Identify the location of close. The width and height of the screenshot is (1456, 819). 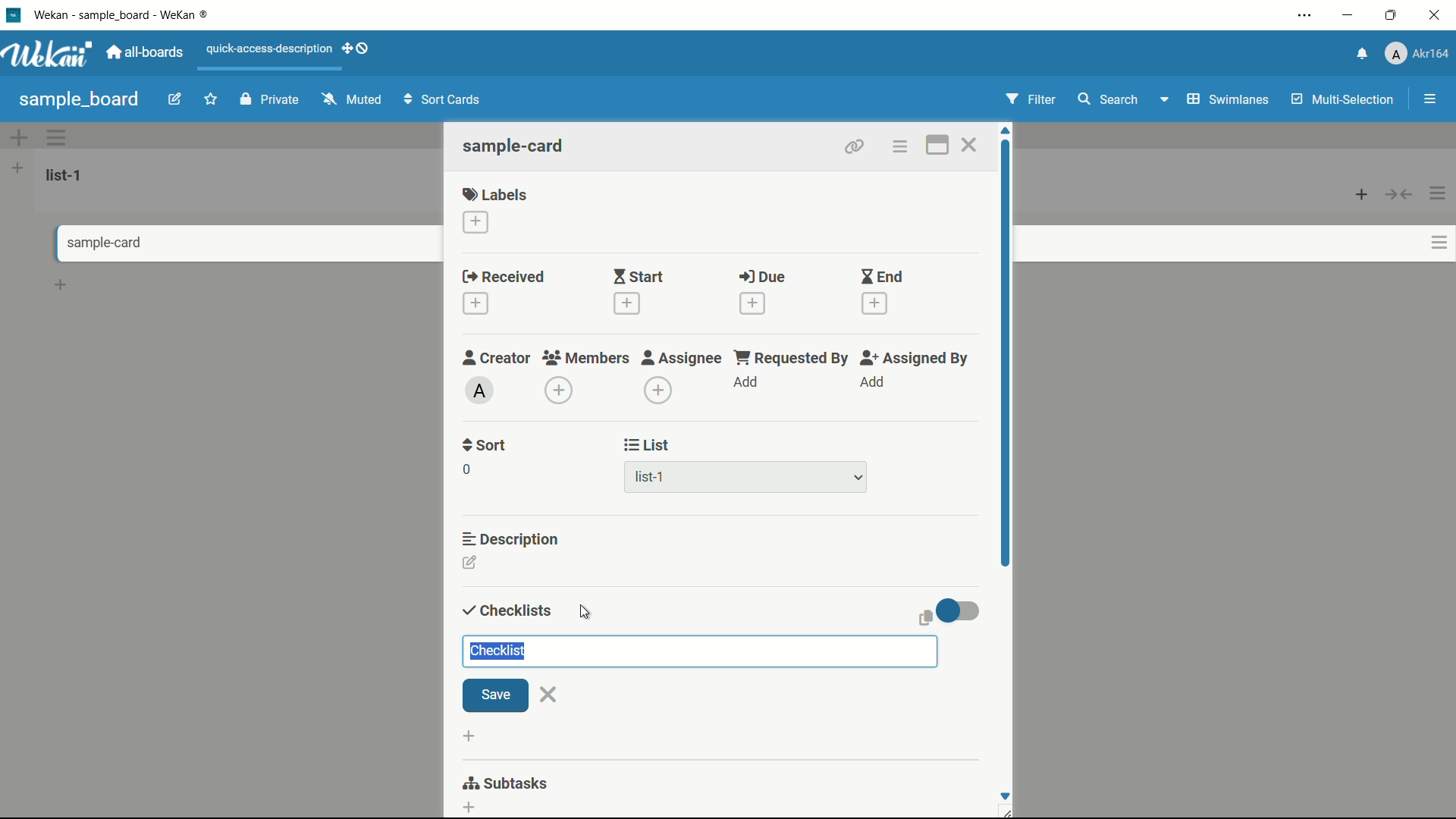
(550, 694).